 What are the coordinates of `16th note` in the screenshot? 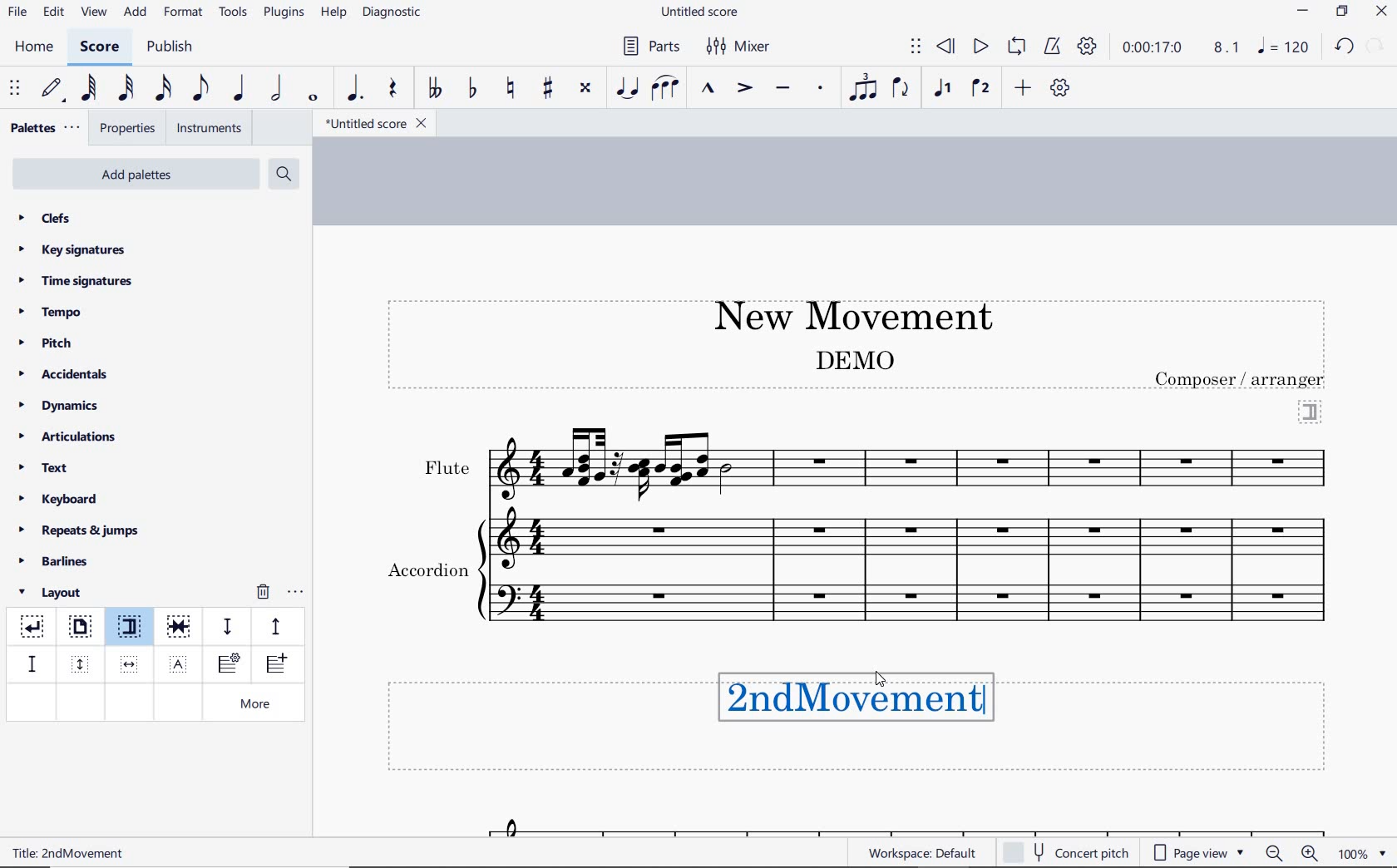 It's located at (164, 89).